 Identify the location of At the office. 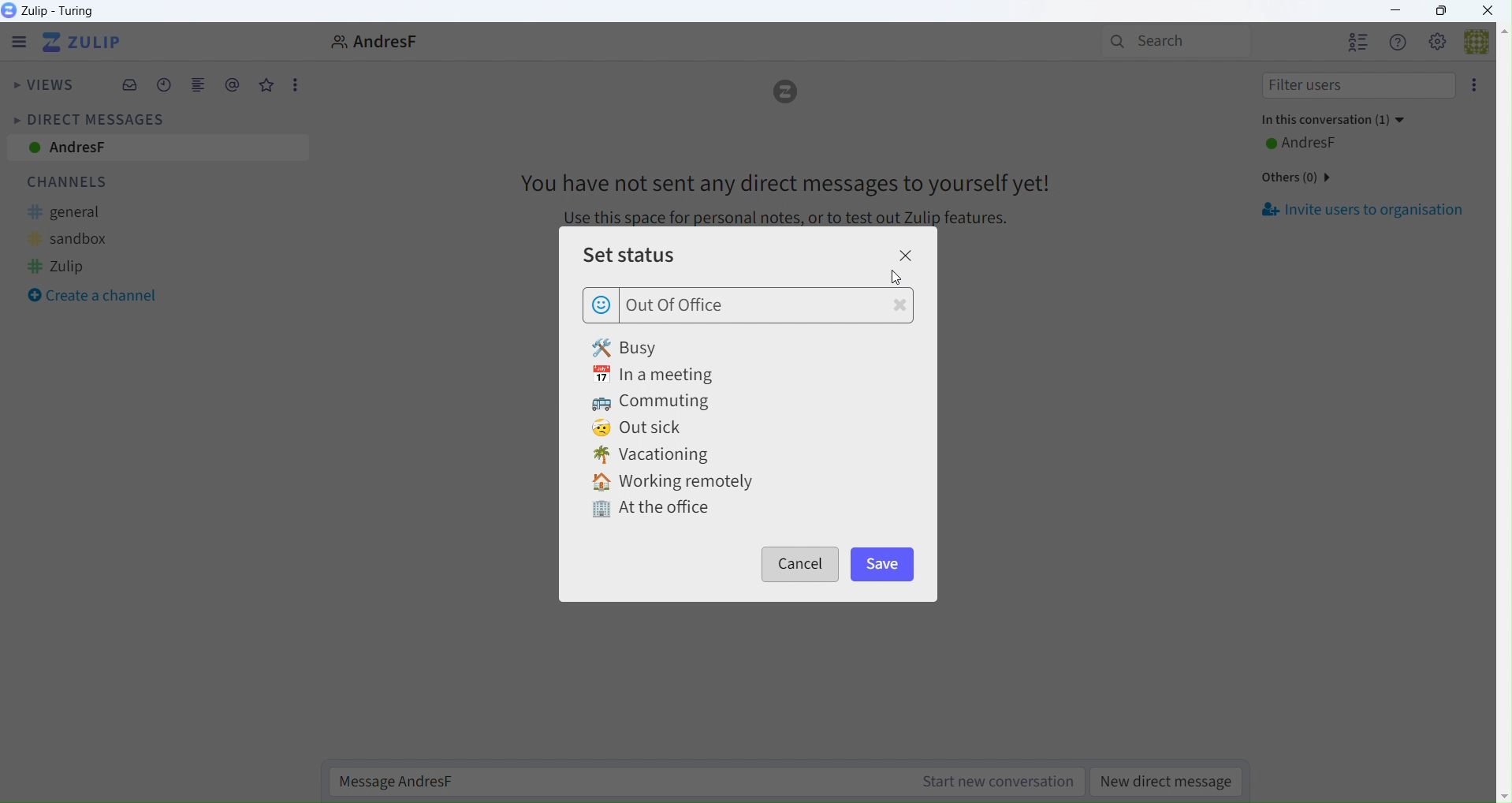
(646, 506).